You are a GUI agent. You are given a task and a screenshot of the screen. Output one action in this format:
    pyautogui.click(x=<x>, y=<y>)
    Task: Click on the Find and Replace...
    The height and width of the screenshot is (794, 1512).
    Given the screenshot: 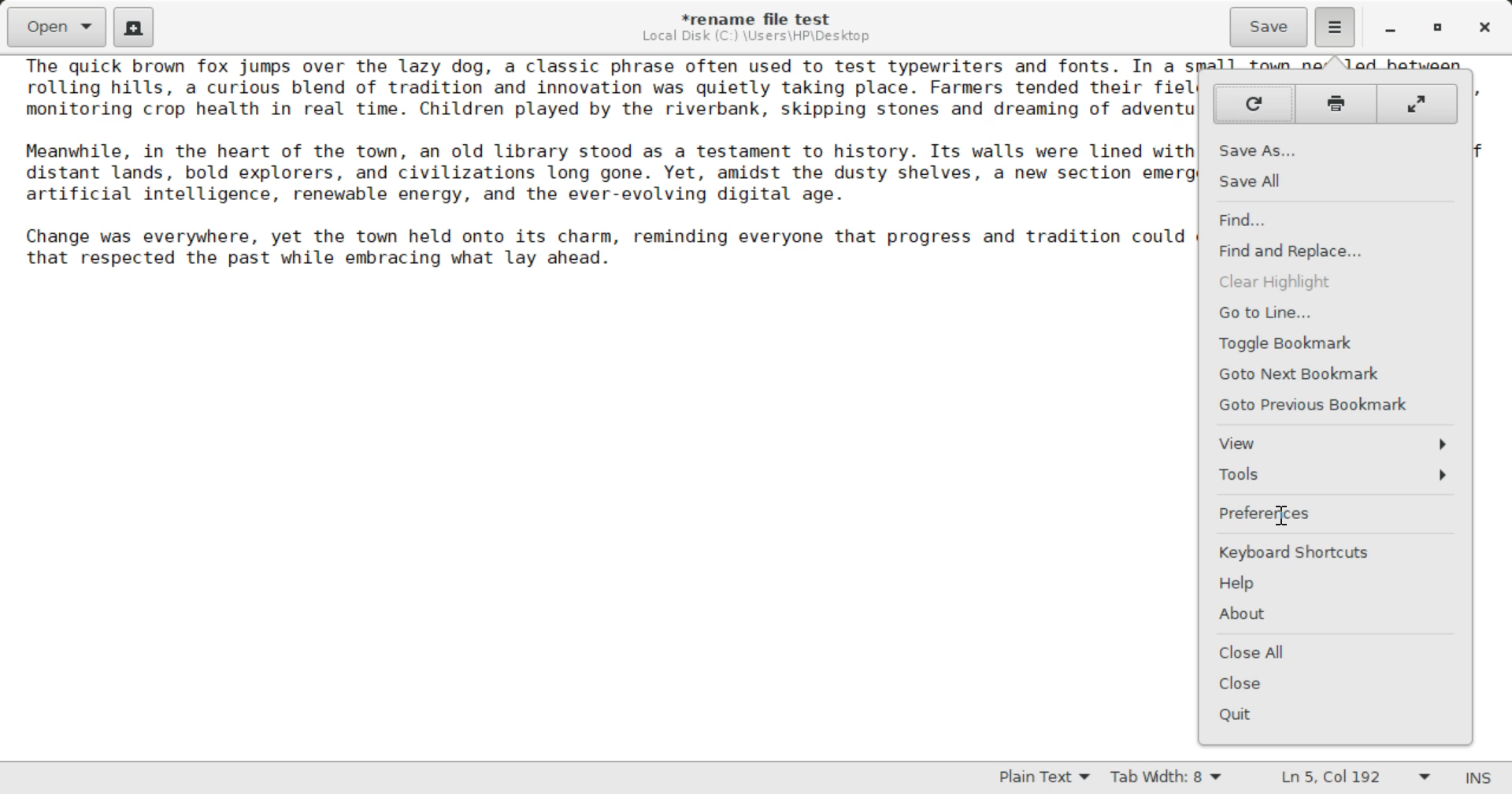 What is the action you would take?
    pyautogui.click(x=1331, y=252)
    